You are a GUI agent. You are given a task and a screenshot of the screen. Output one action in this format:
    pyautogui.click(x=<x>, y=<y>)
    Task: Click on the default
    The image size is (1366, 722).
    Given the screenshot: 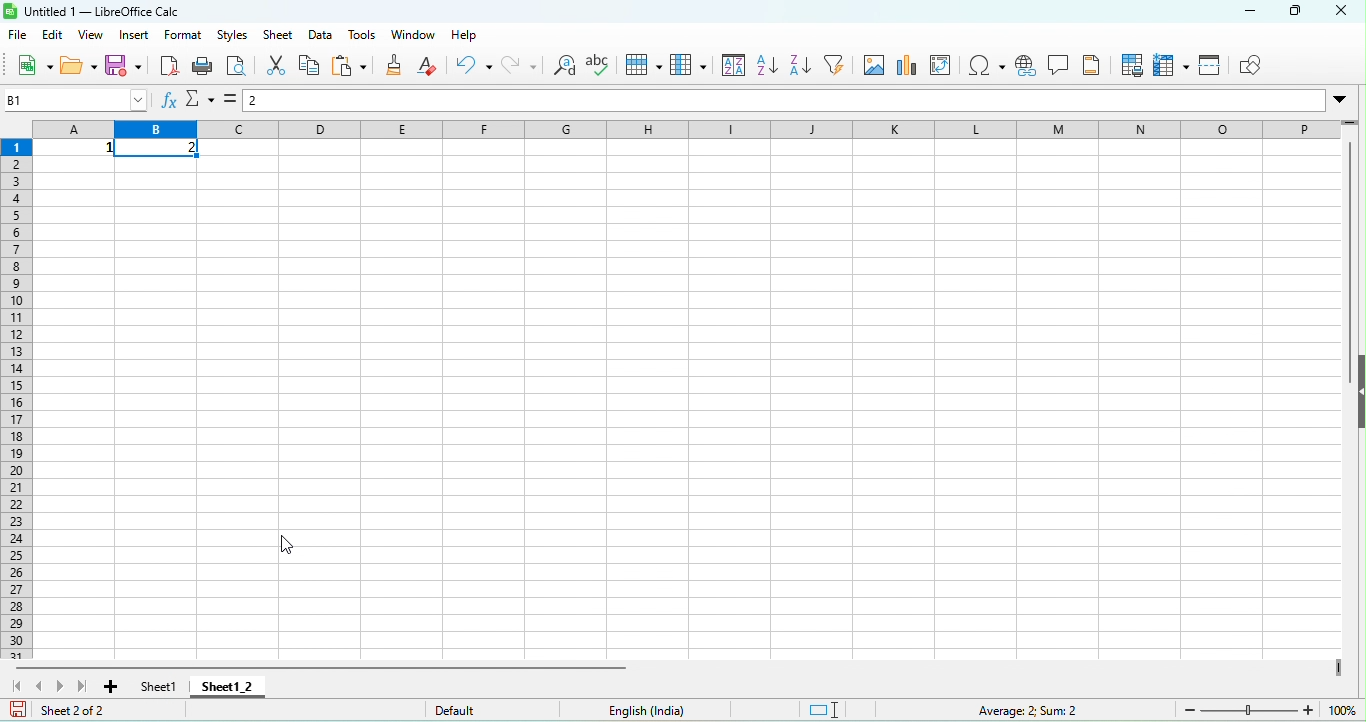 What is the action you would take?
    pyautogui.click(x=491, y=709)
    